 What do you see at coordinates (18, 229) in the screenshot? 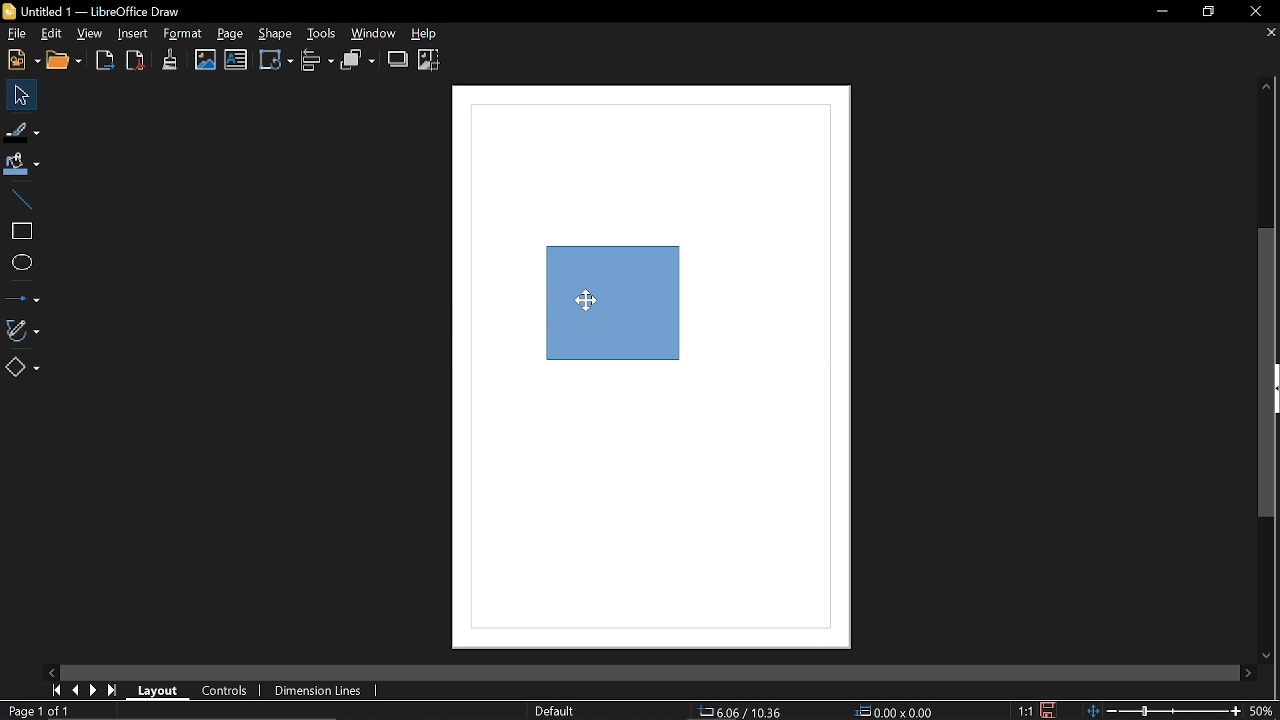
I see `Rectangle` at bounding box center [18, 229].